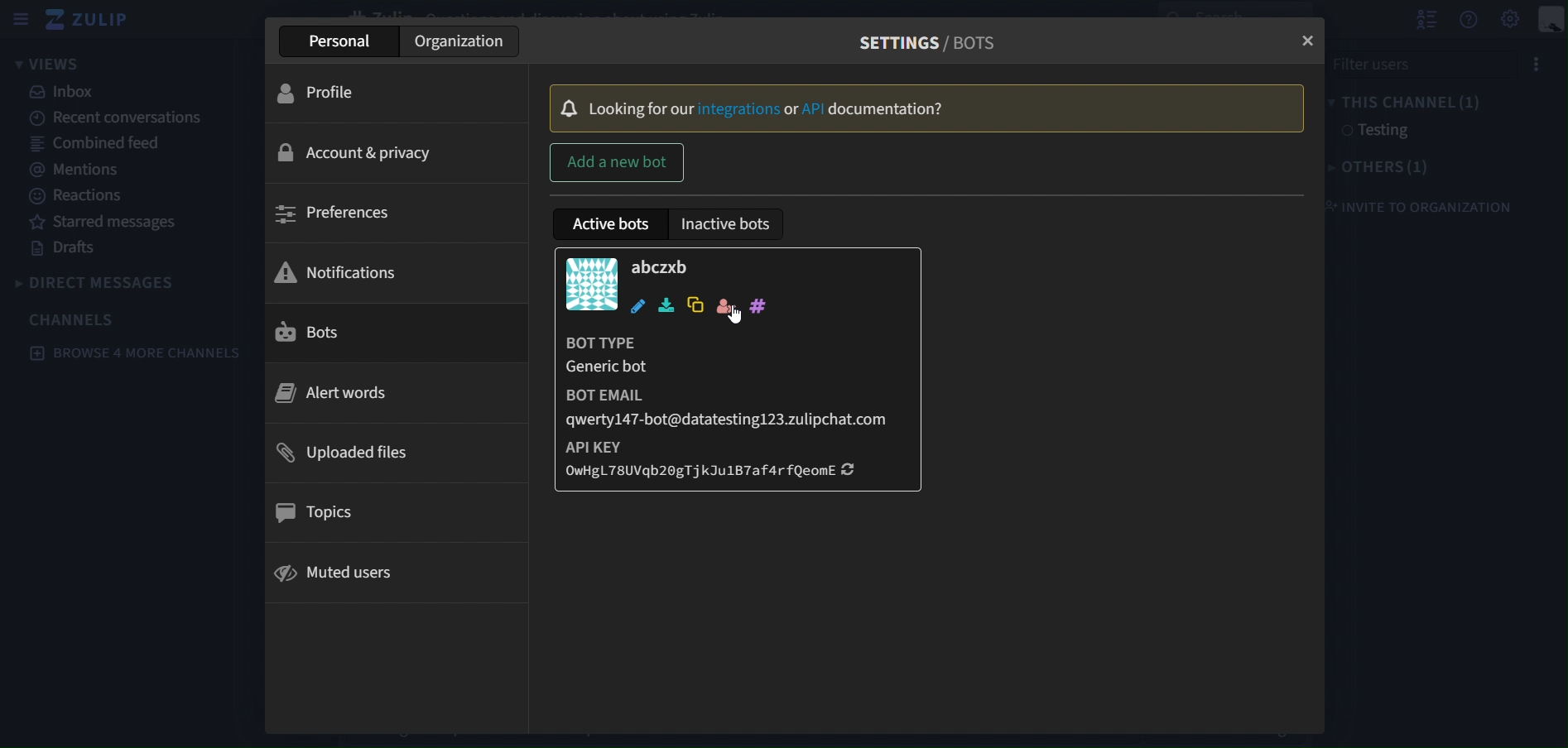 The height and width of the screenshot is (748, 1568). What do you see at coordinates (79, 196) in the screenshot?
I see `reactions` at bounding box center [79, 196].